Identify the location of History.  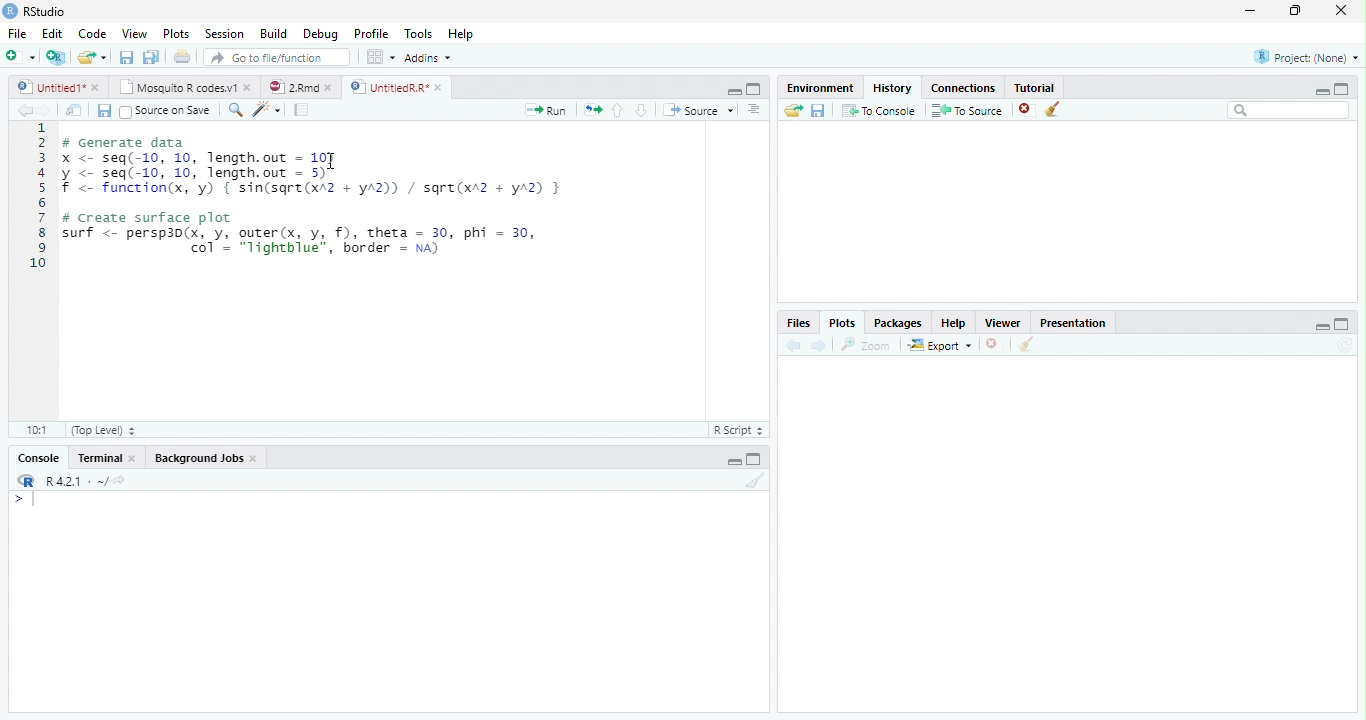
(893, 87).